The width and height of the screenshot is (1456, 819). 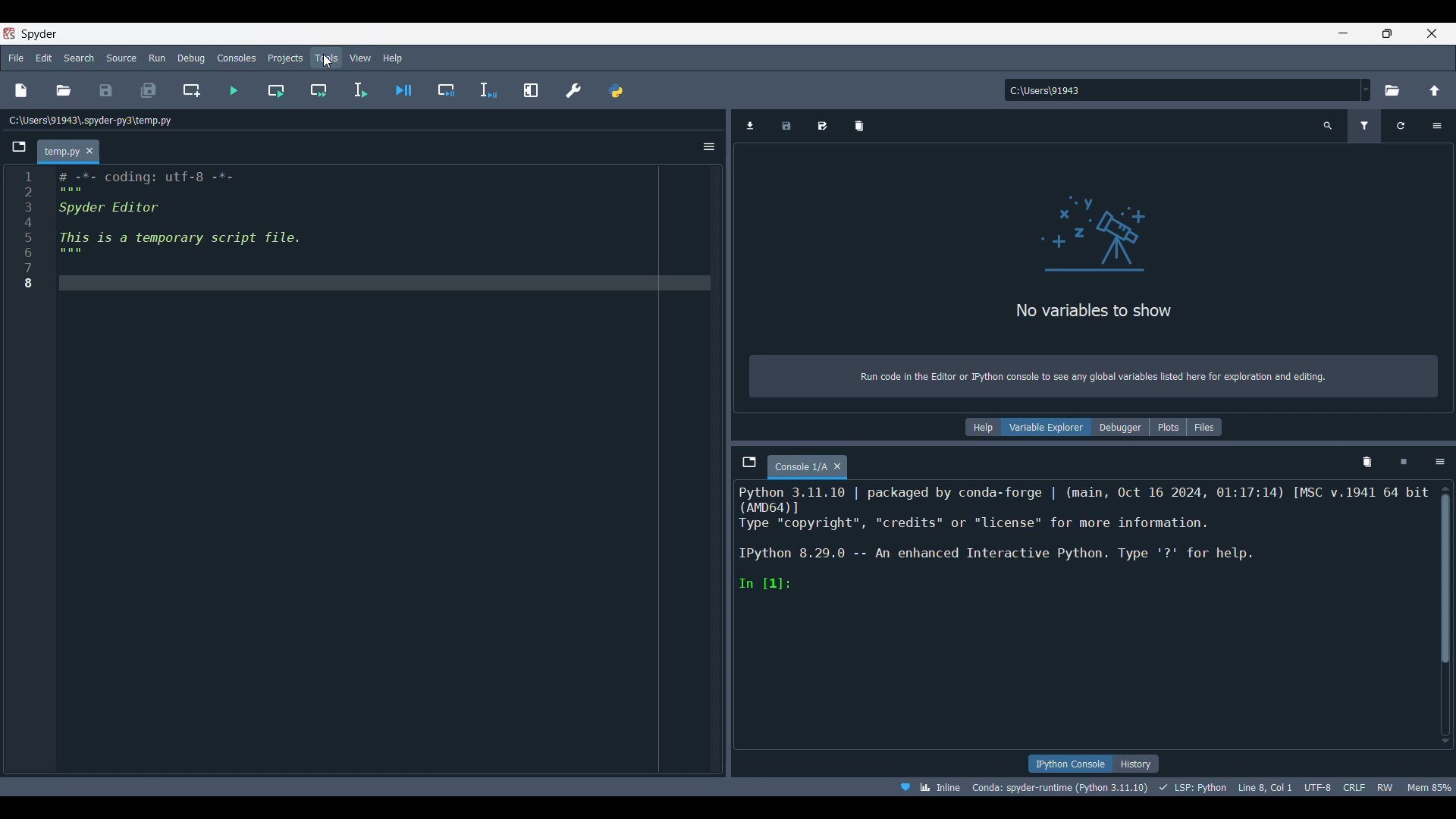 What do you see at coordinates (1392, 90) in the screenshot?
I see `Browse working directory` at bounding box center [1392, 90].